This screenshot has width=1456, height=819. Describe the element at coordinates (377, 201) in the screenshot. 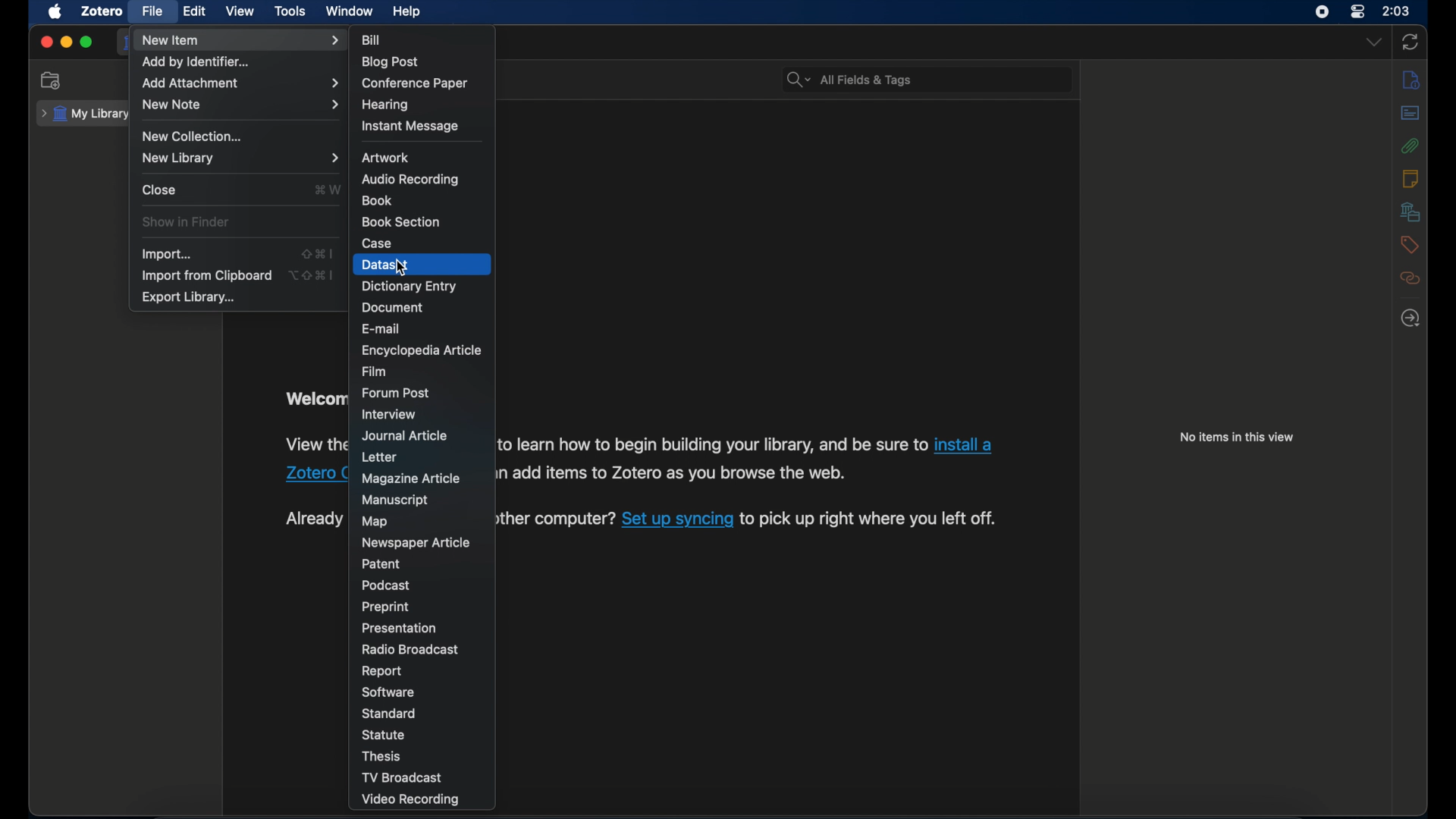

I see `book` at that location.